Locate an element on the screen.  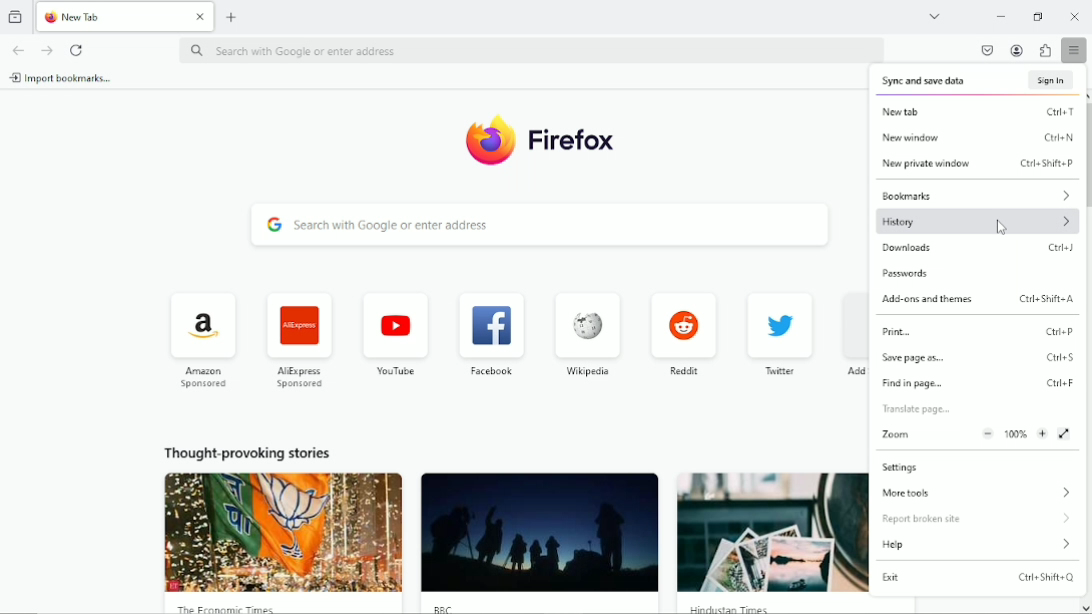
scroll down is located at coordinates (1085, 607).